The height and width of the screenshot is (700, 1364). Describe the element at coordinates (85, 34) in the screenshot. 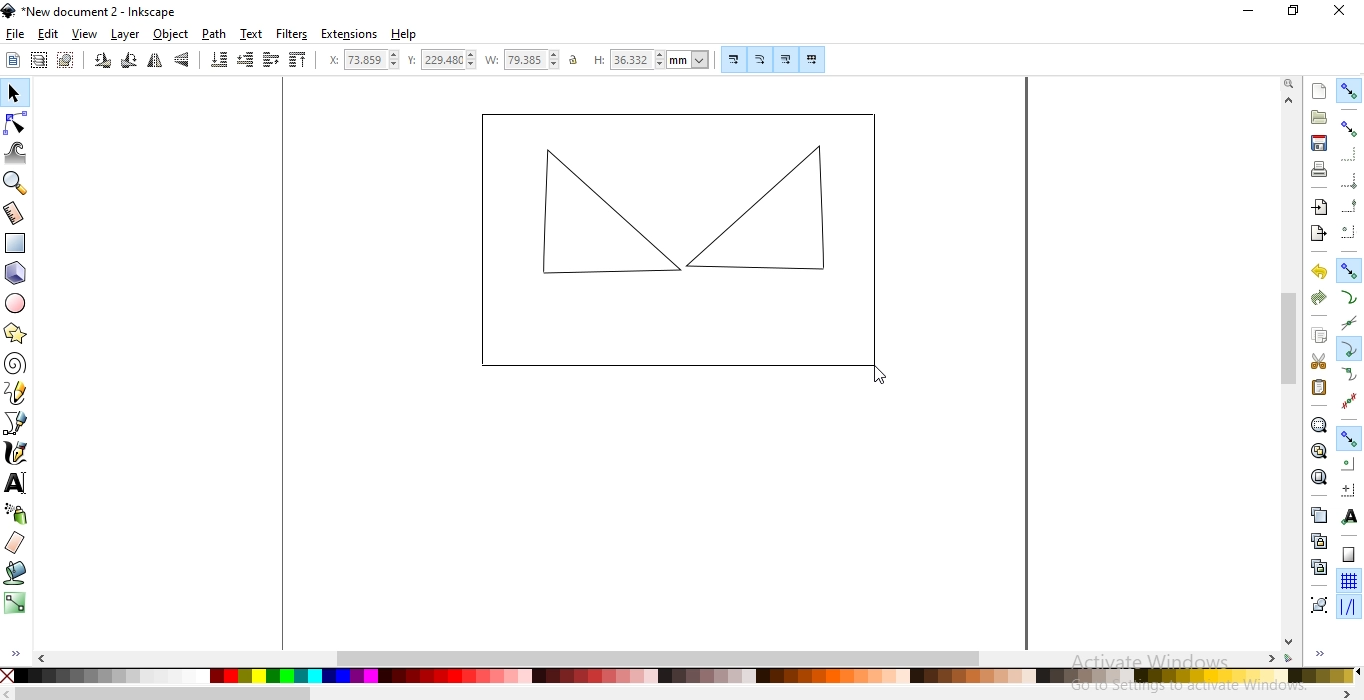

I see `view` at that location.